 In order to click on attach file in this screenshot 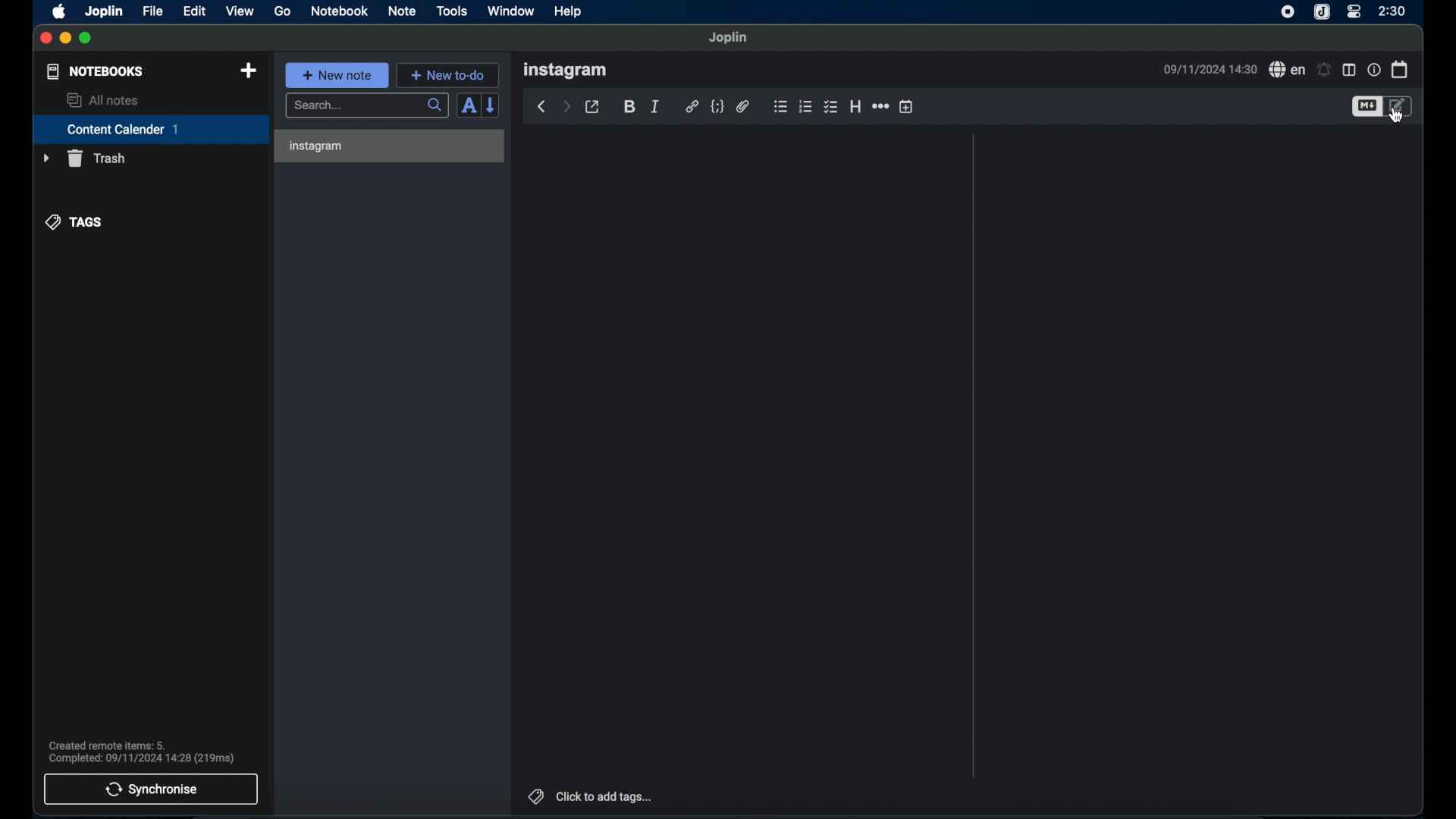, I will do `click(744, 106)`.